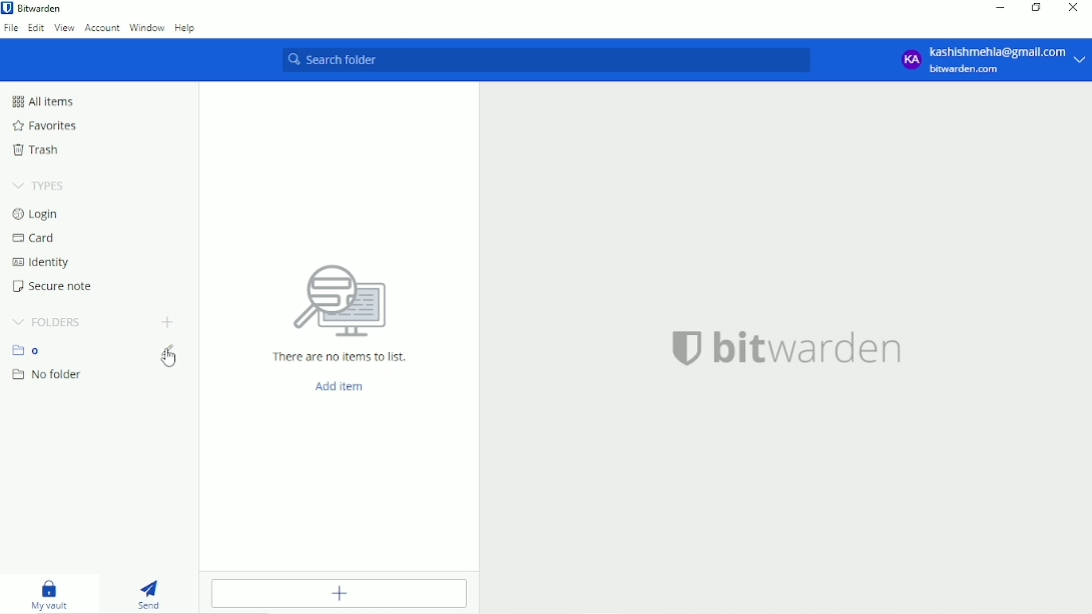 This screenshot has width=1092, height=614. I want to click on Add item, so click(338, 594).